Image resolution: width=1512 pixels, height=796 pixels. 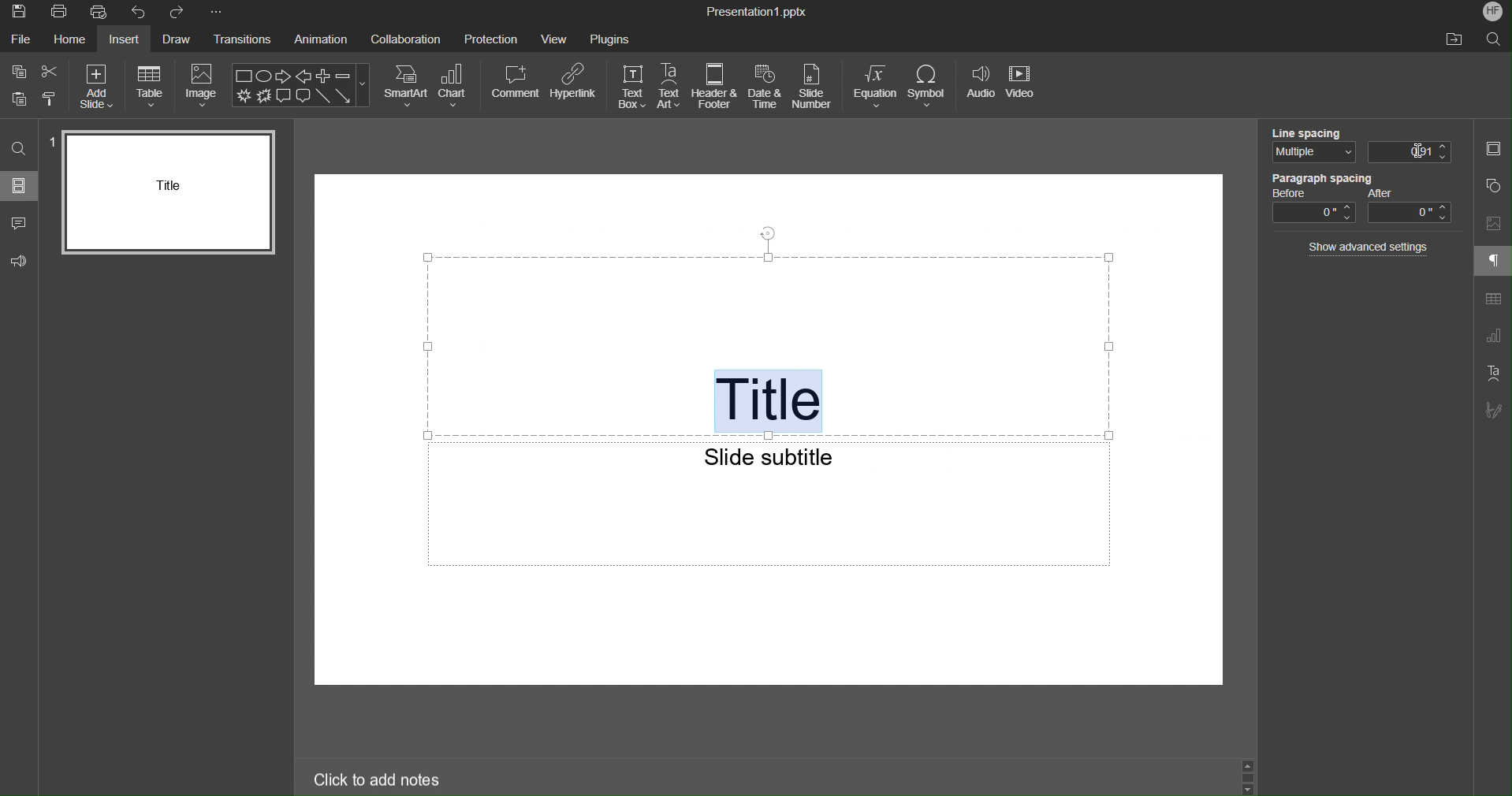 I want to click on After, so click(x=1411, y=206).